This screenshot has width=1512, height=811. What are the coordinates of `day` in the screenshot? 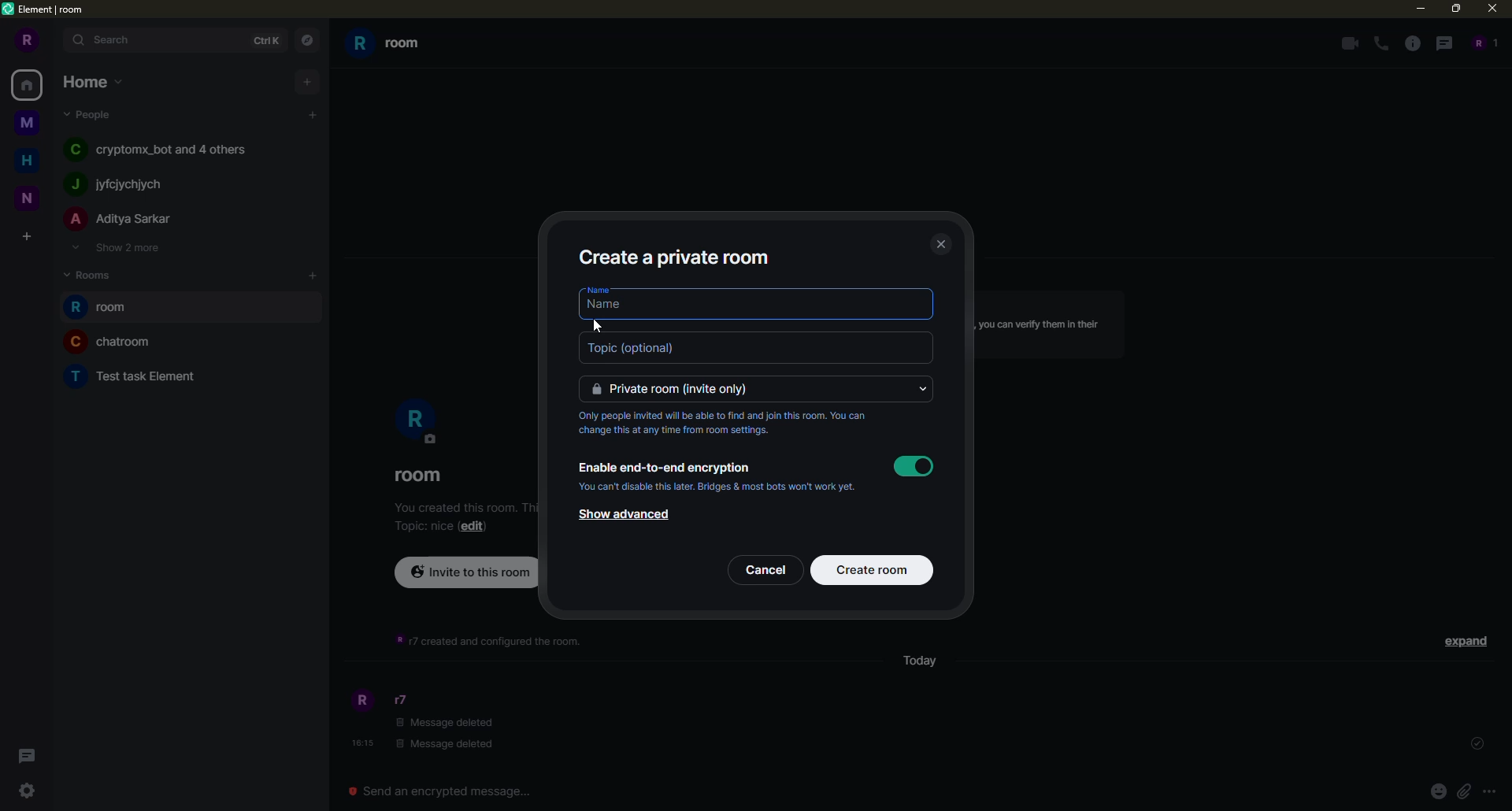 It's located at (921, 662).